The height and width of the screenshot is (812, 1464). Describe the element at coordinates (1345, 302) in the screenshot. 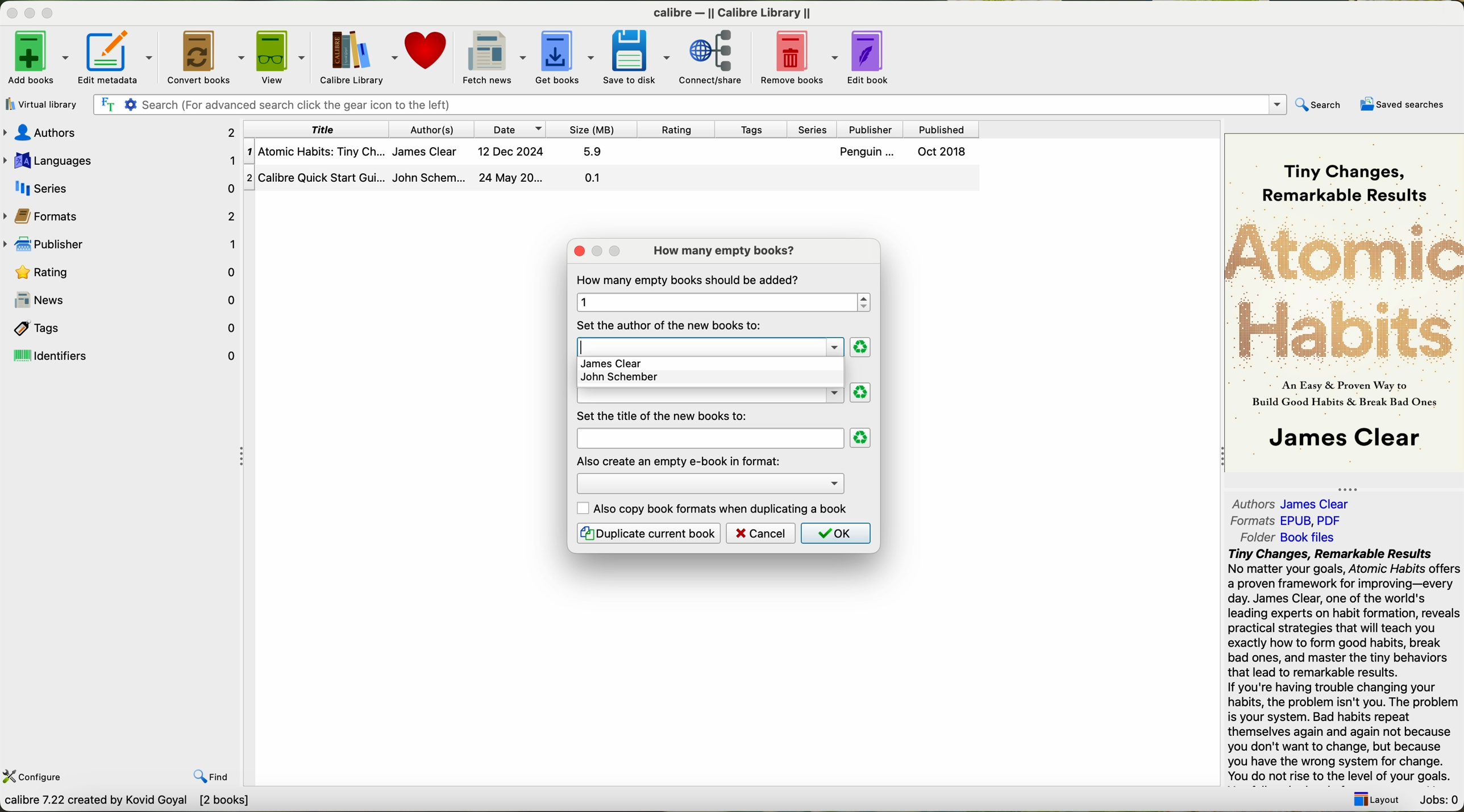

I see `book cover preview` at that location.